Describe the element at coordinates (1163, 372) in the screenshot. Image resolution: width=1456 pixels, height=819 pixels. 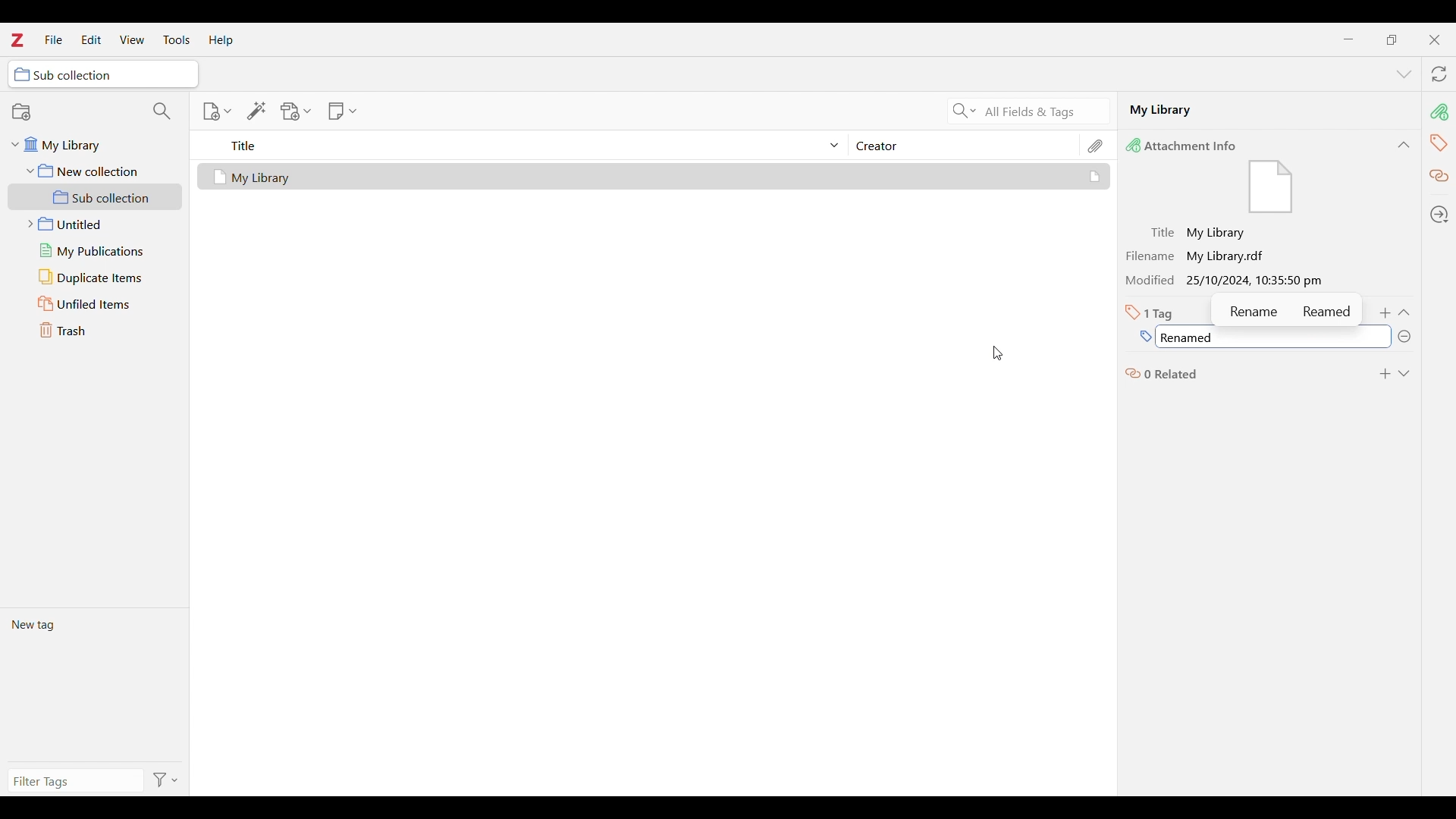
I see `0 related` at that location.